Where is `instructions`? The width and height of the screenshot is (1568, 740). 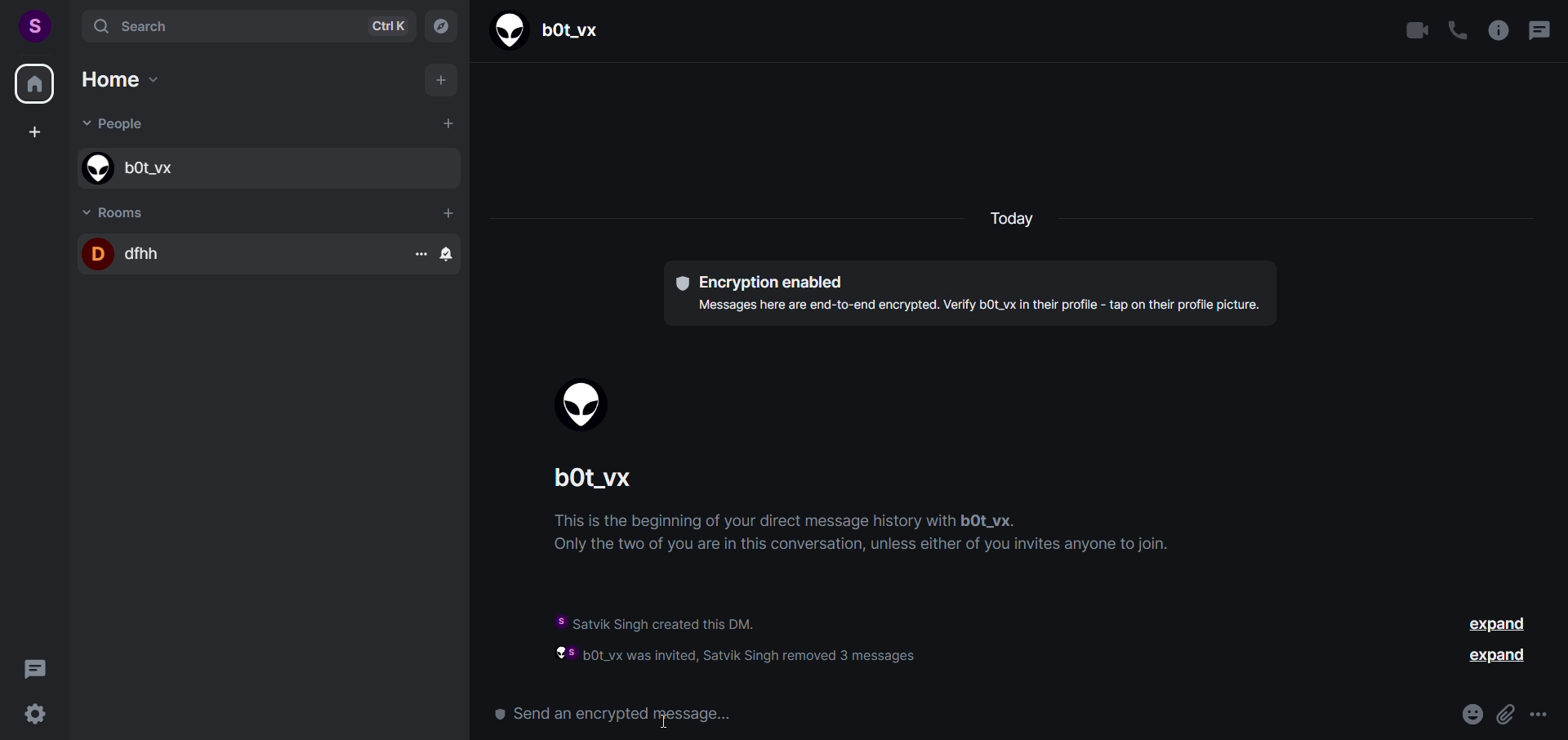 instructions is located at coordinates (875, 537).